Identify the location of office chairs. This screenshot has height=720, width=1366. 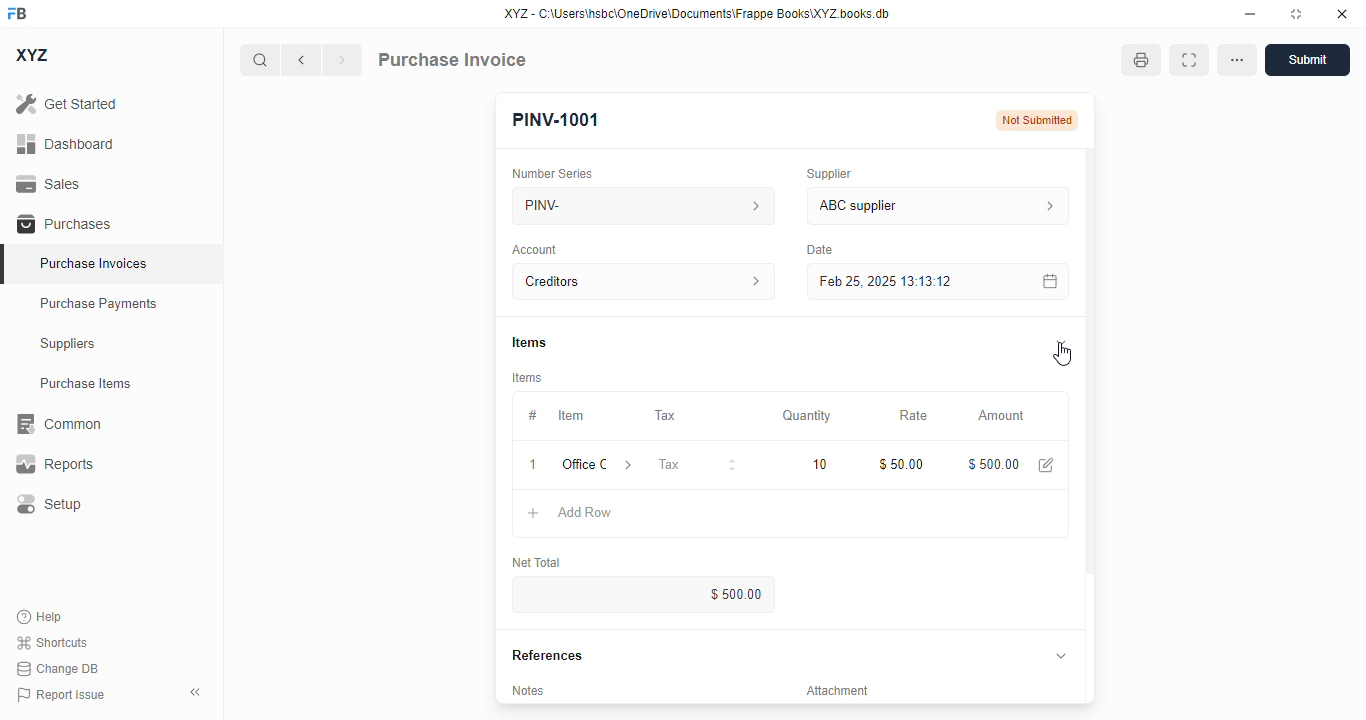
(583, 464).